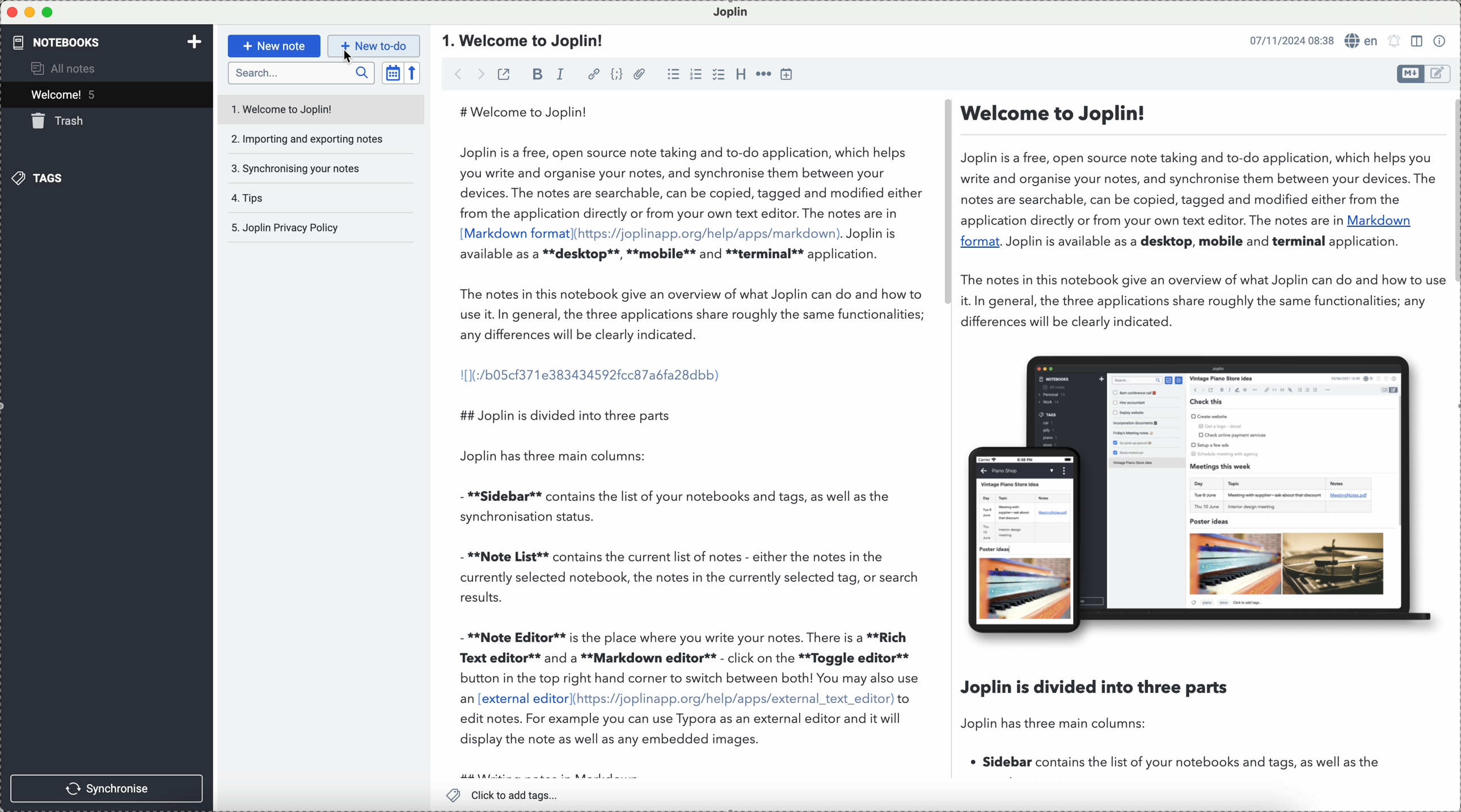  I want to click on tips, so click(253, 197).